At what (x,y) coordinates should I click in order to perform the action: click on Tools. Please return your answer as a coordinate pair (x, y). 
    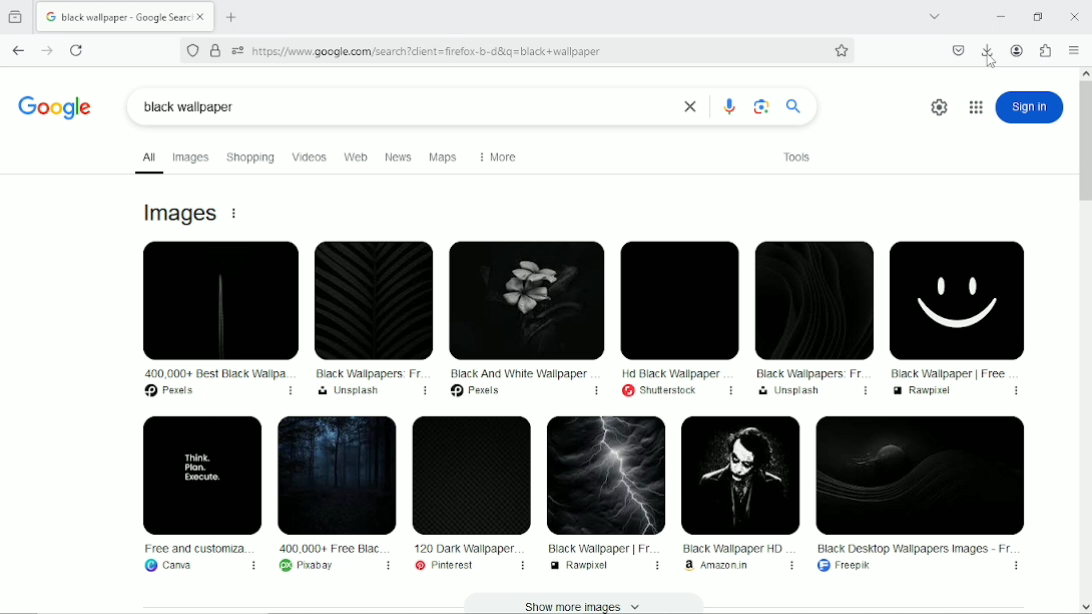
    Looking at the image, I should click on (799, 155).